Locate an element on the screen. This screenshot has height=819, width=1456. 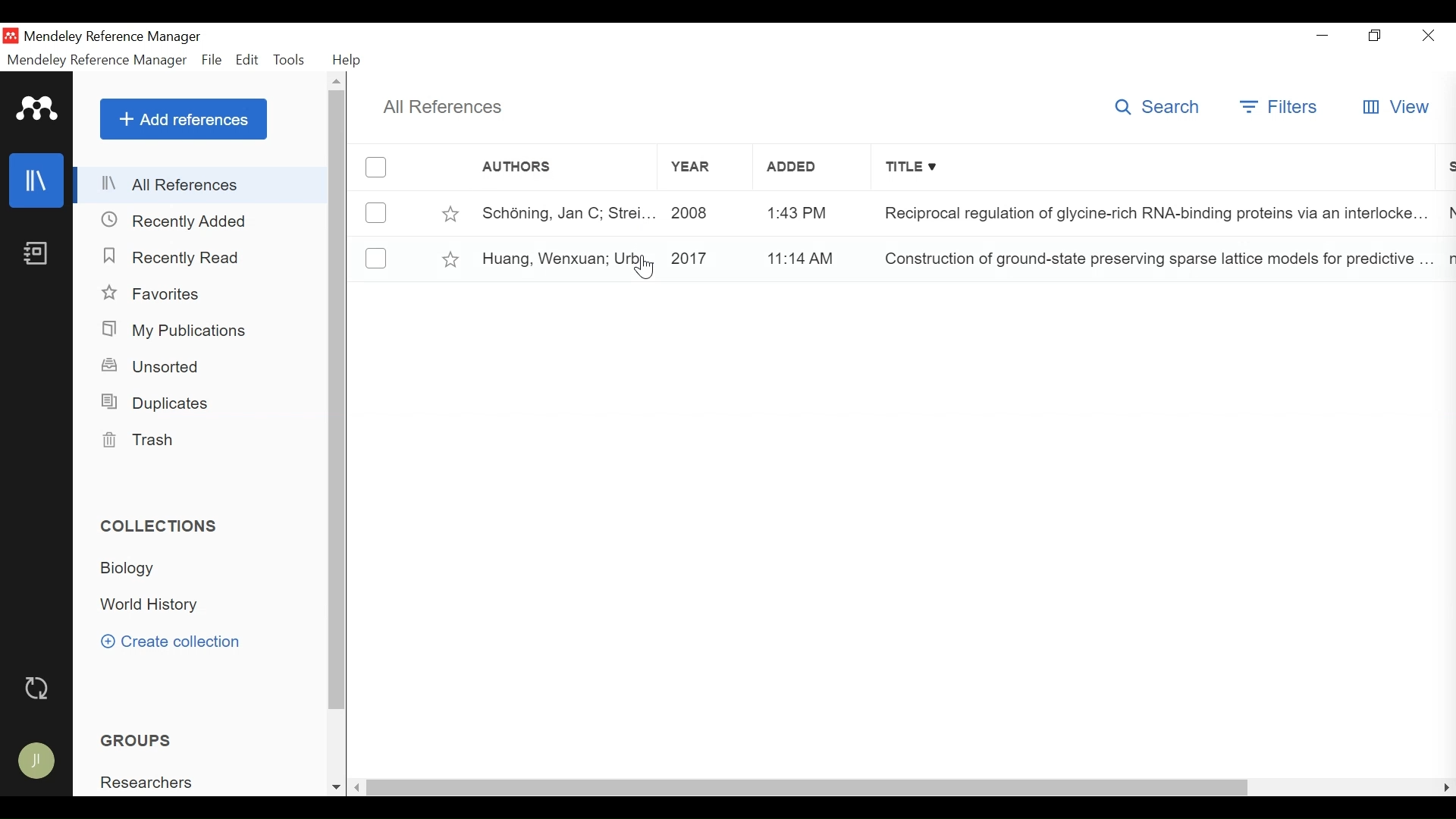
My Publications is located at coordinates (176, 331).